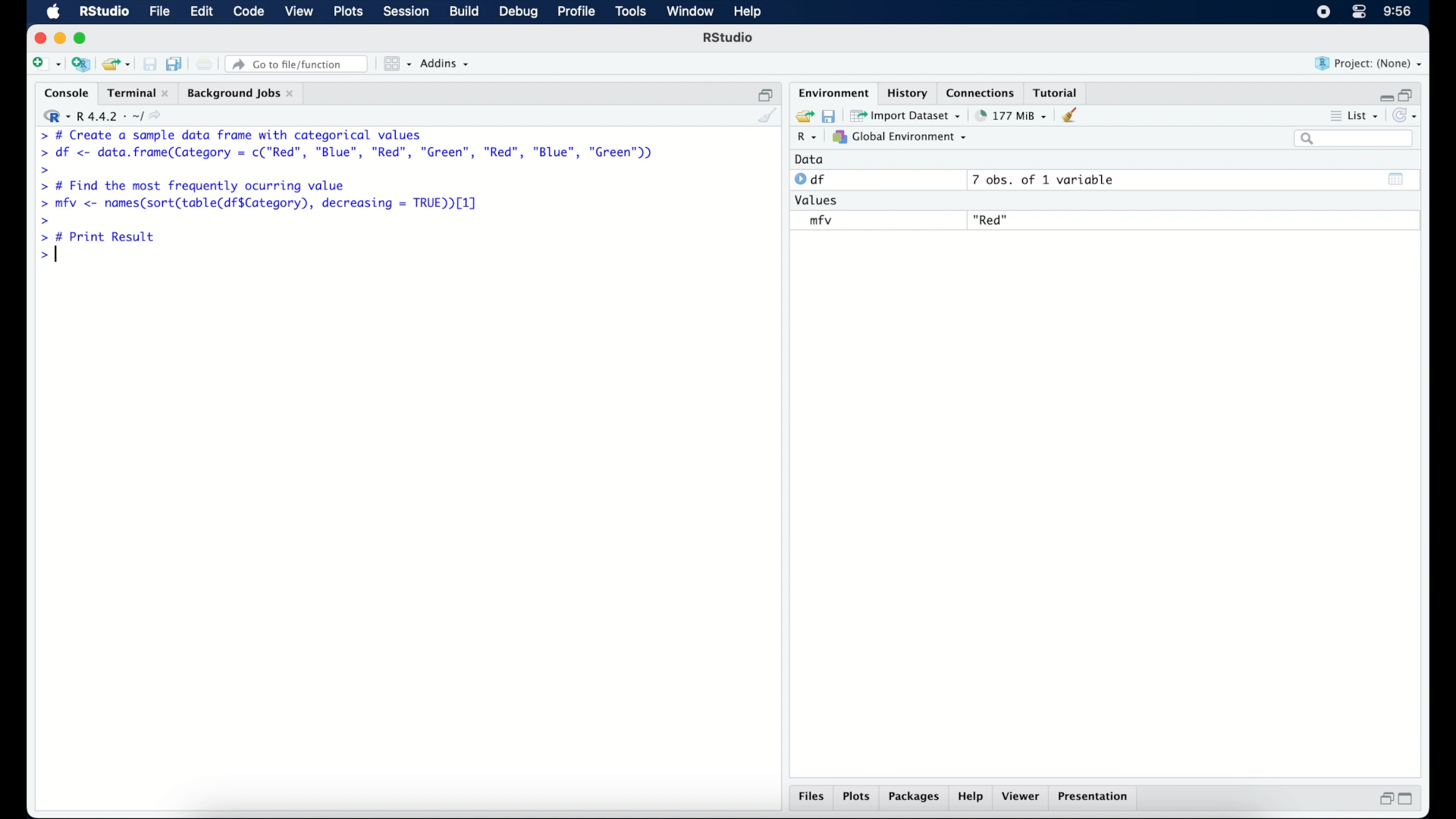 This screenshot has height=819, width=1456. Describe the element at coordinates (174, 62) in the screenshot. I see `save all open documents` at that location.